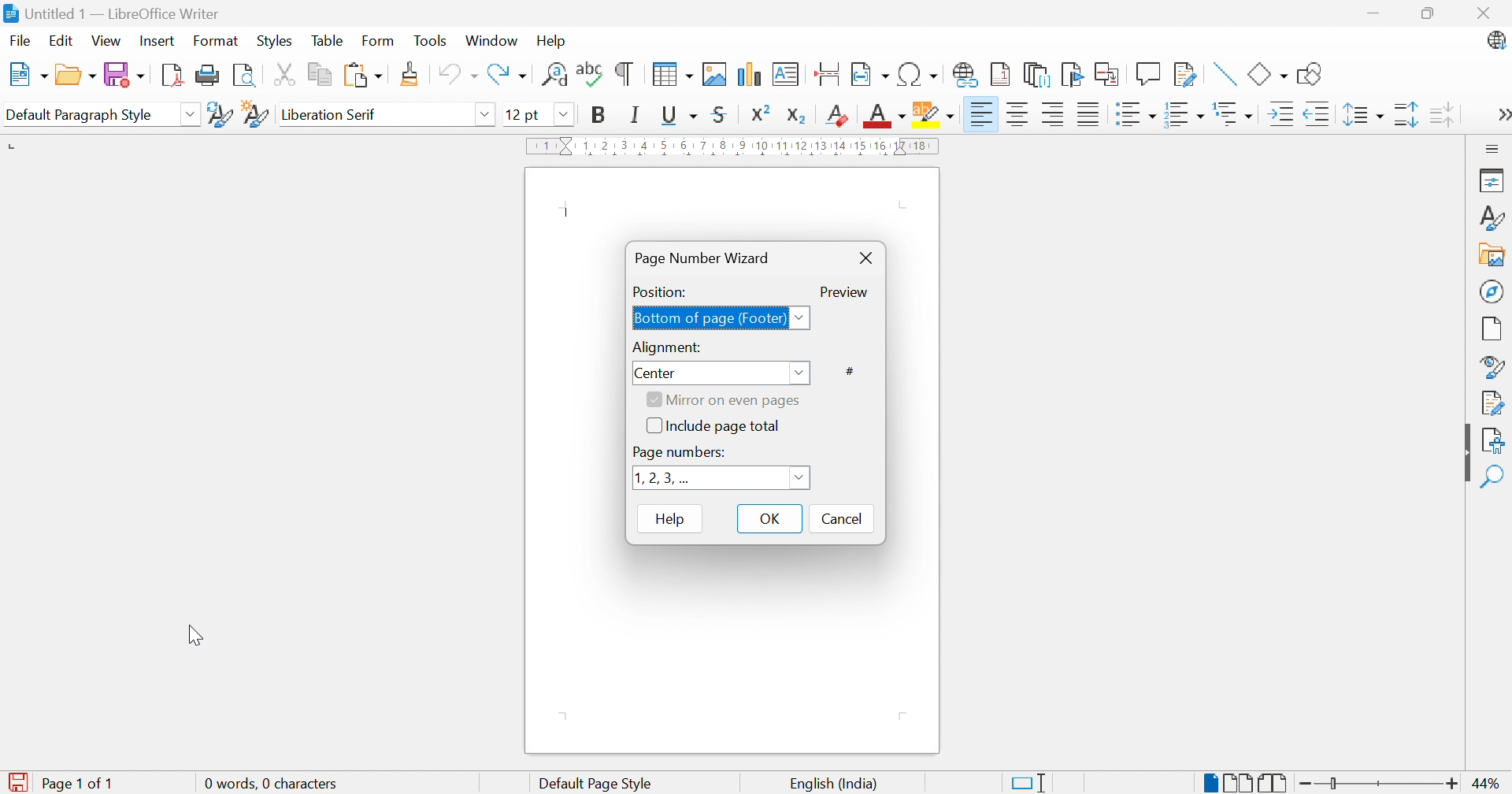  Describe the element at coordinates (1037, 76) in the screenshot. I see `Insert endnote` at that location.